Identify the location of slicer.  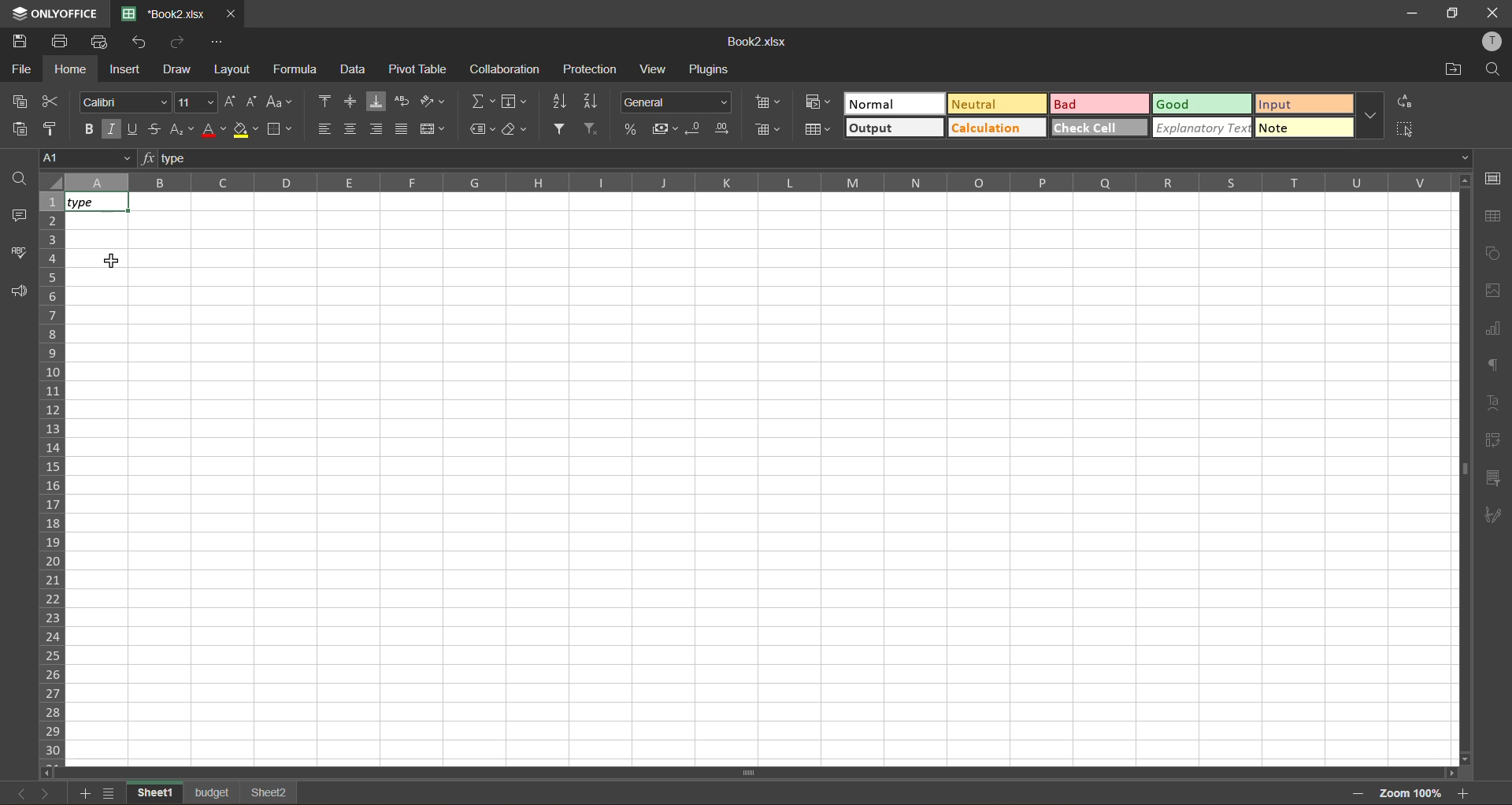
(1494, 477).